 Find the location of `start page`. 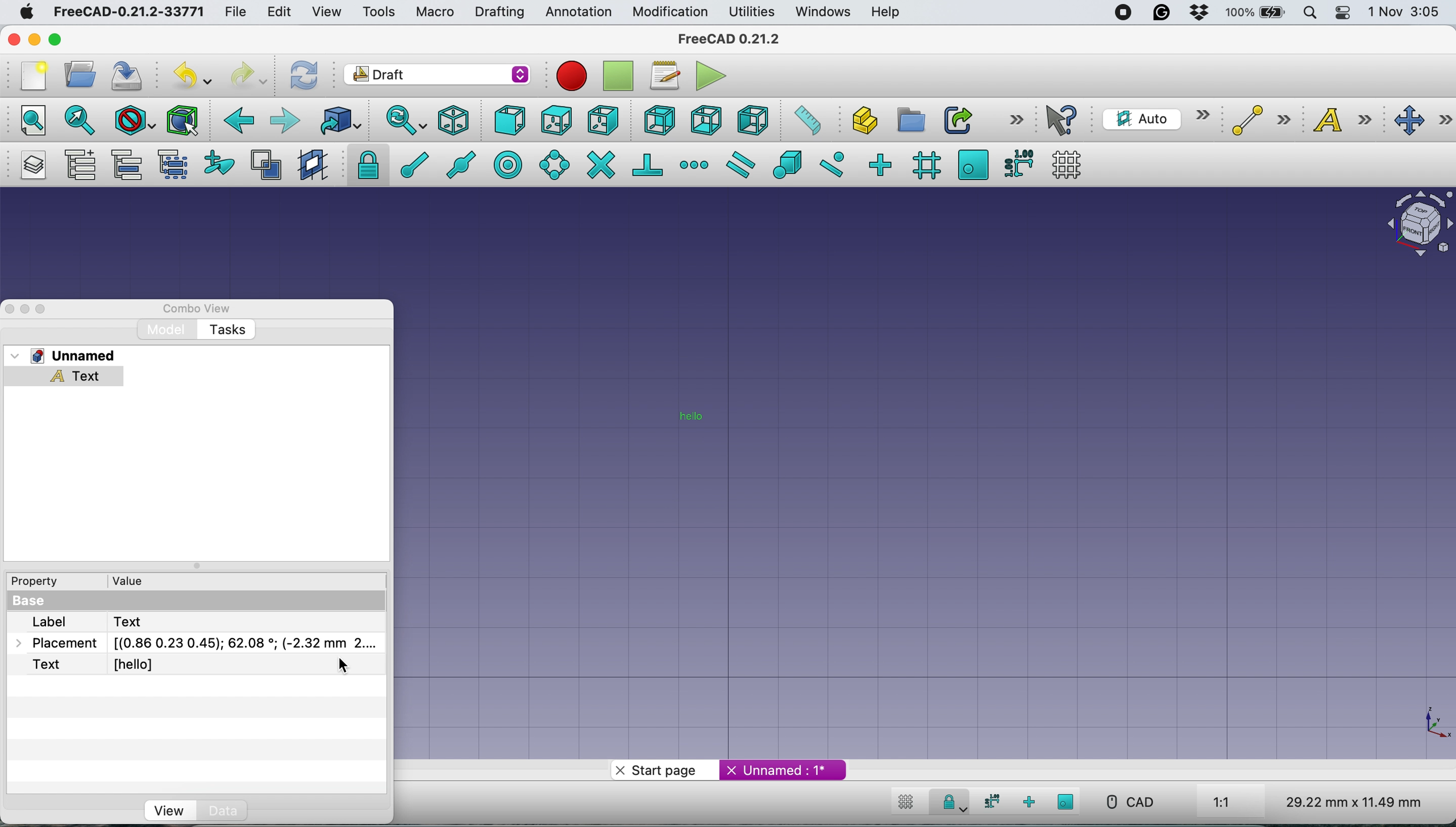

start page is located at coordinates (652, 768).